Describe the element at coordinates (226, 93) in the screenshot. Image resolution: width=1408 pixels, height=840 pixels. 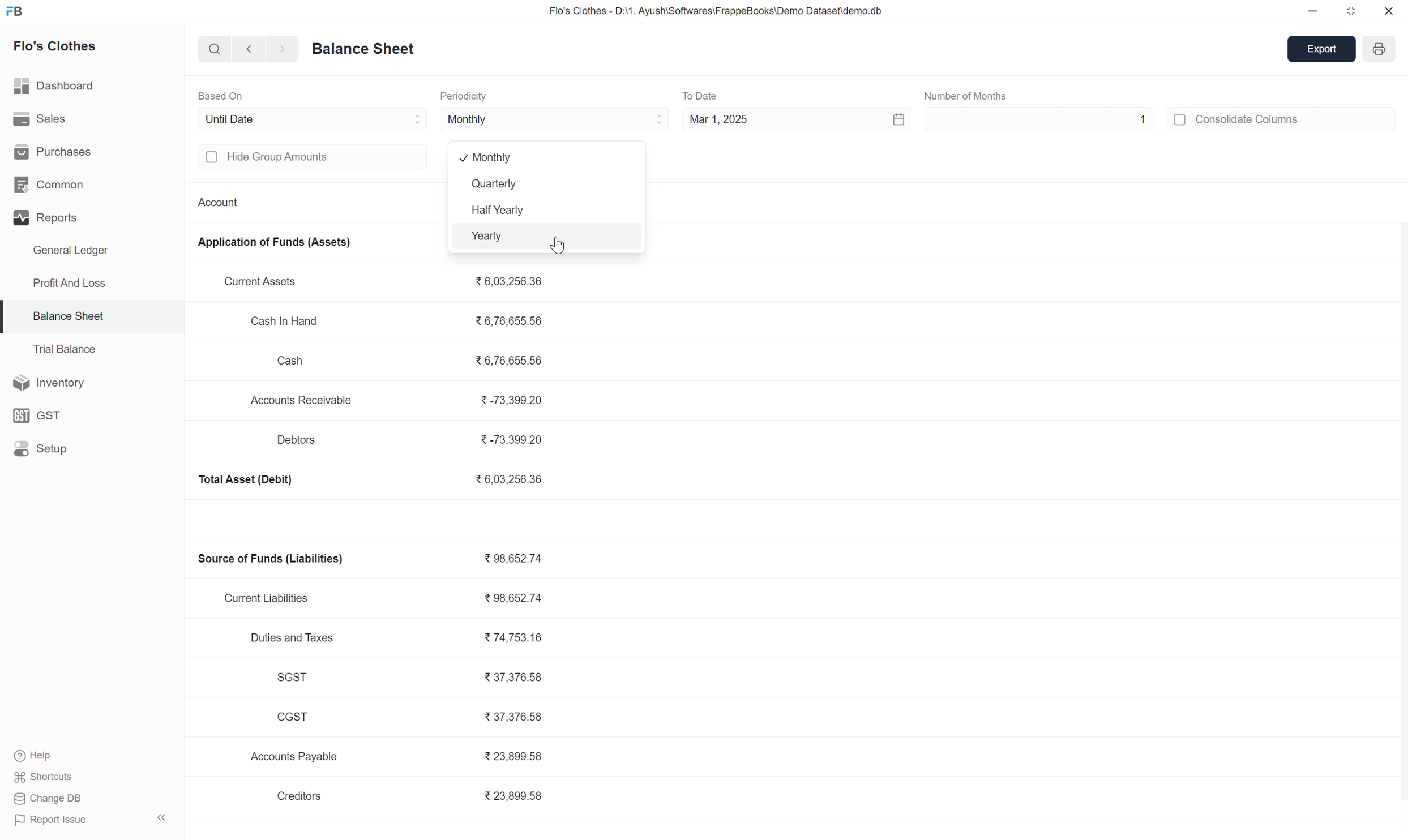
I see `Based On` at that location.